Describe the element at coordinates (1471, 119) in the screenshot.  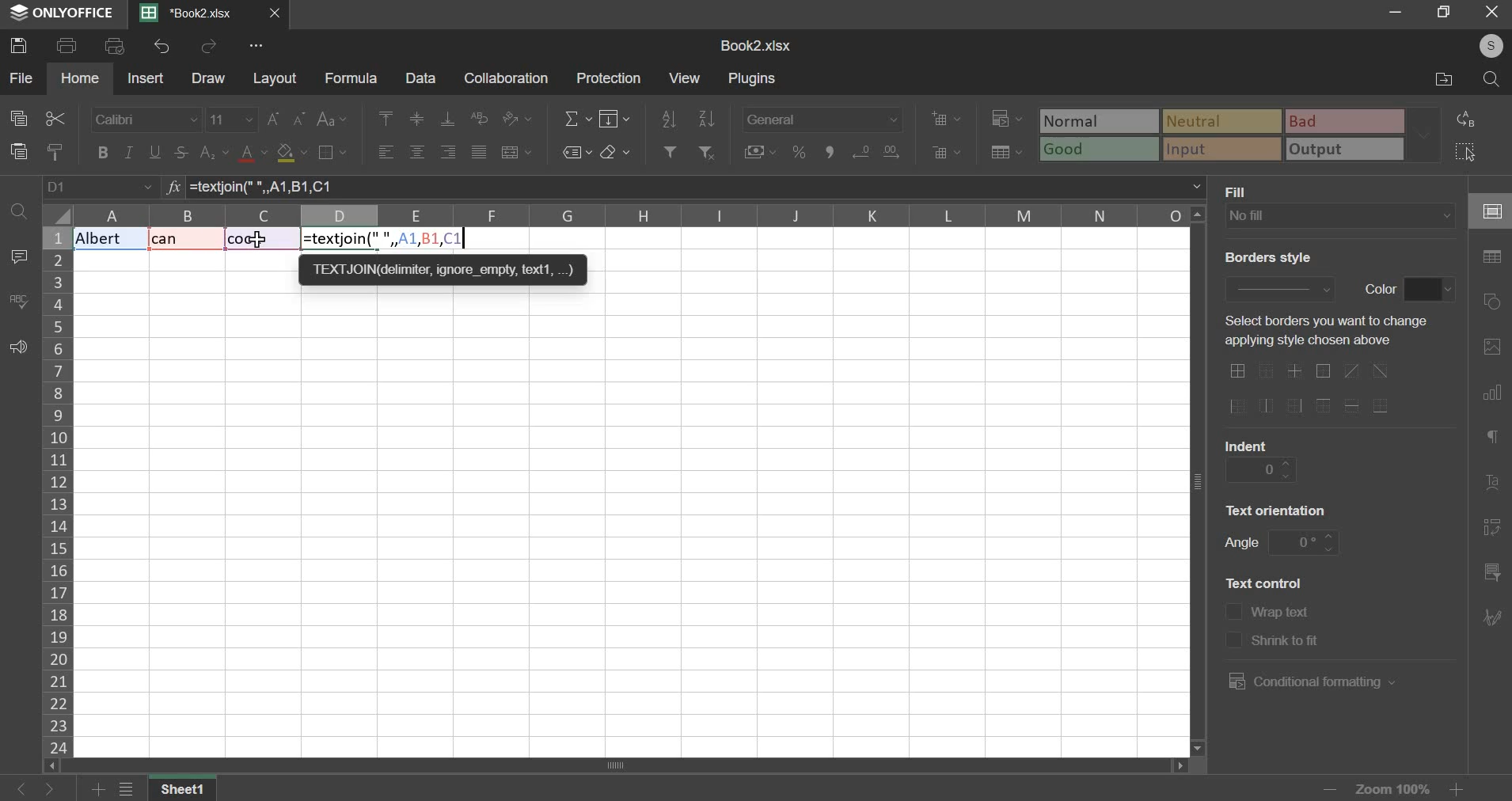
I see `replace` at that location.